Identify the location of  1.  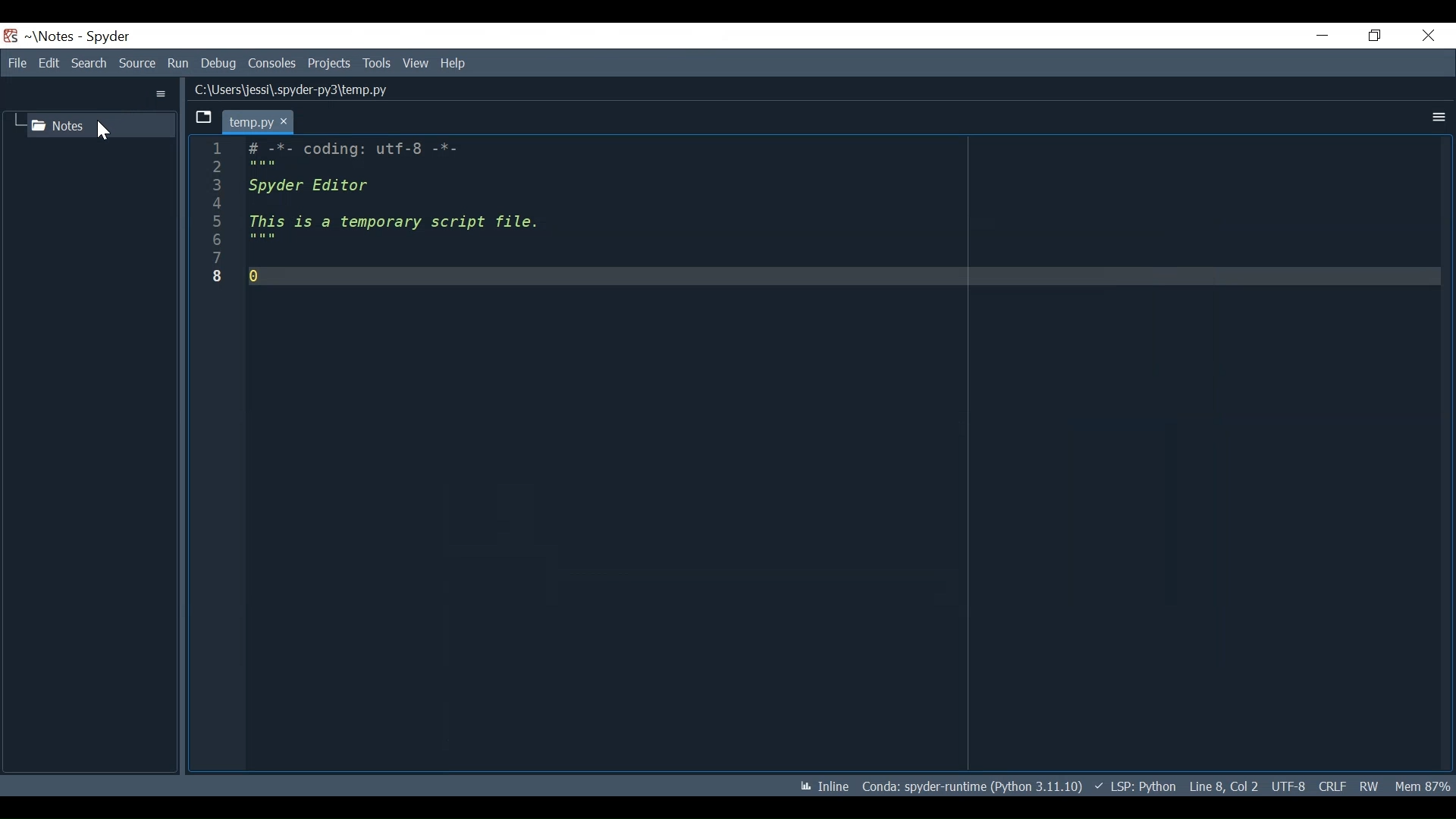
(214, 149).